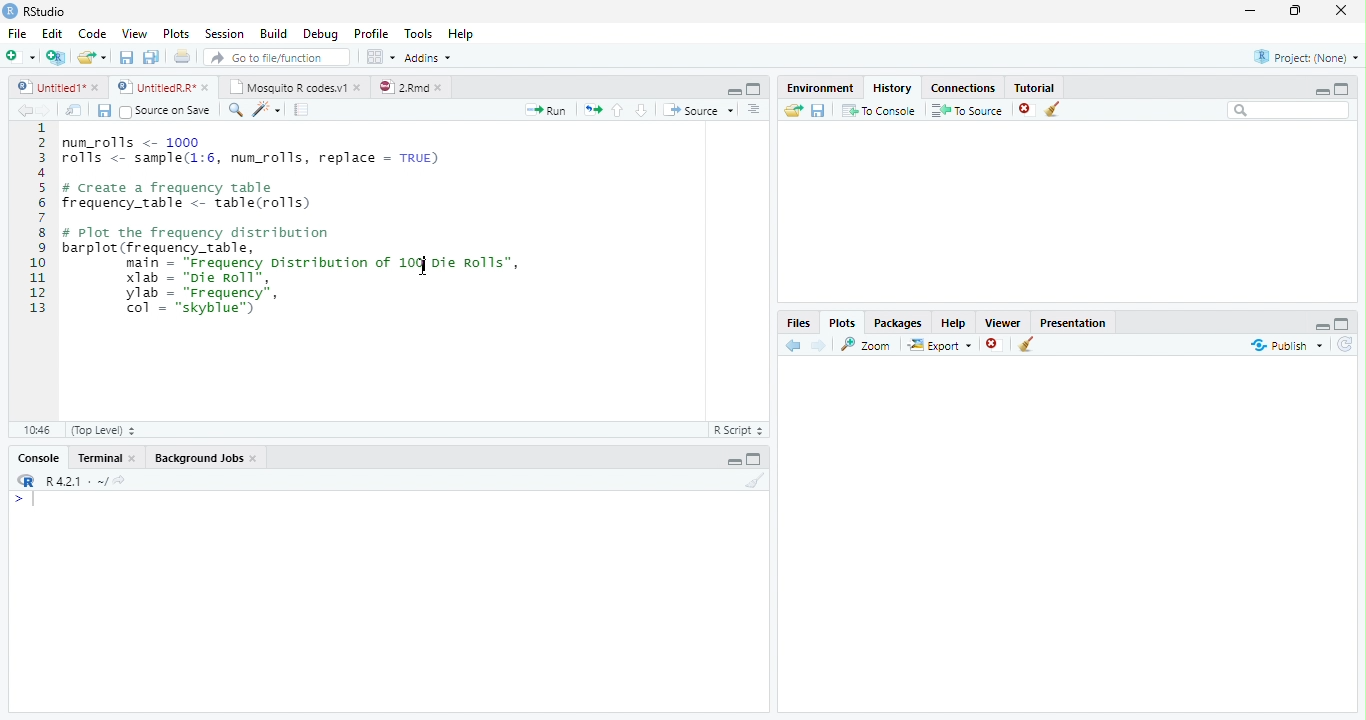 This screenshot has width=1366, height=720. Describe the element at coordinates (1287, 110) in the screenshot. I see `Search` at that location.